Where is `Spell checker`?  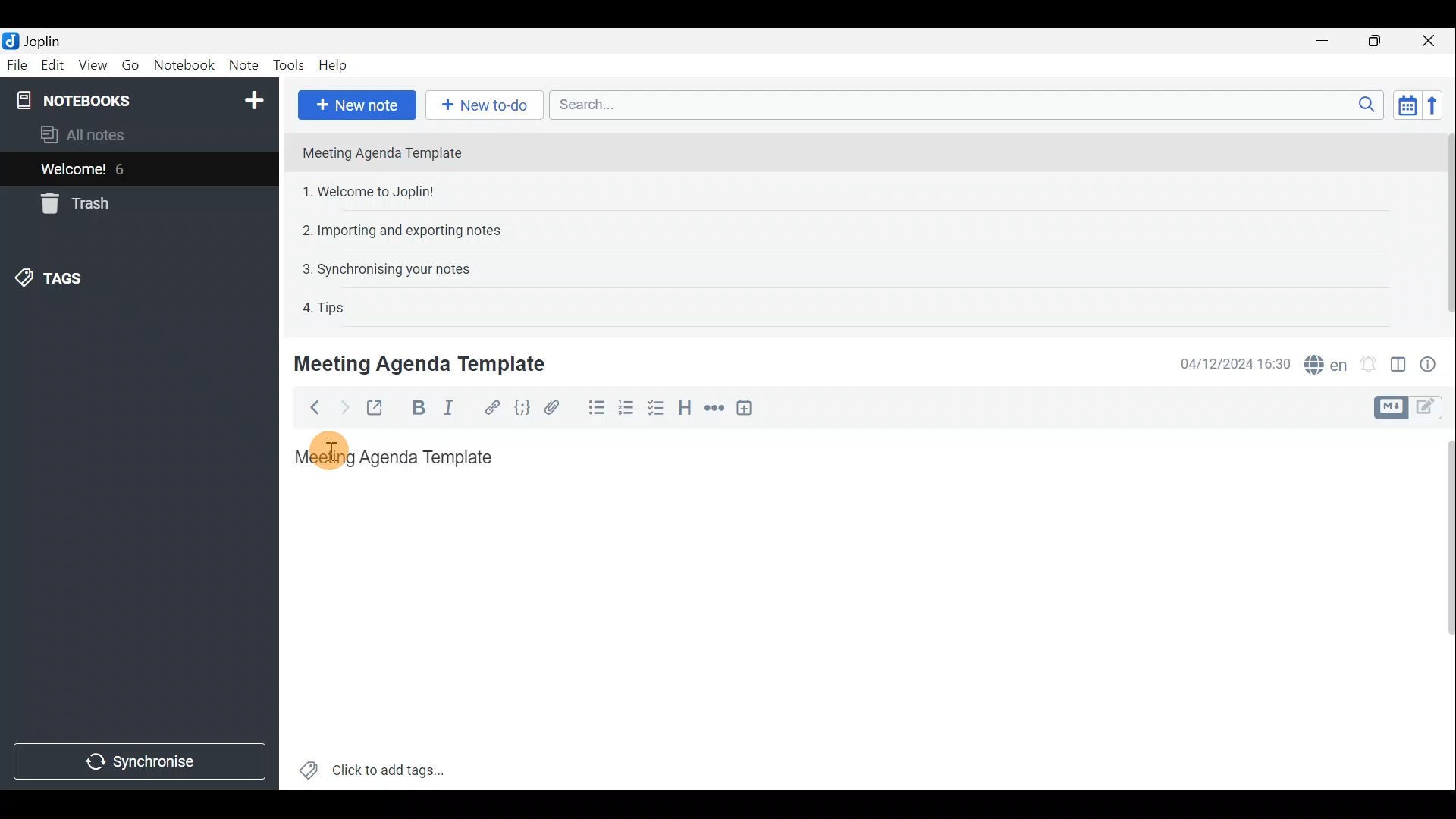 Spell checker is located at coordinates (1327, 362).